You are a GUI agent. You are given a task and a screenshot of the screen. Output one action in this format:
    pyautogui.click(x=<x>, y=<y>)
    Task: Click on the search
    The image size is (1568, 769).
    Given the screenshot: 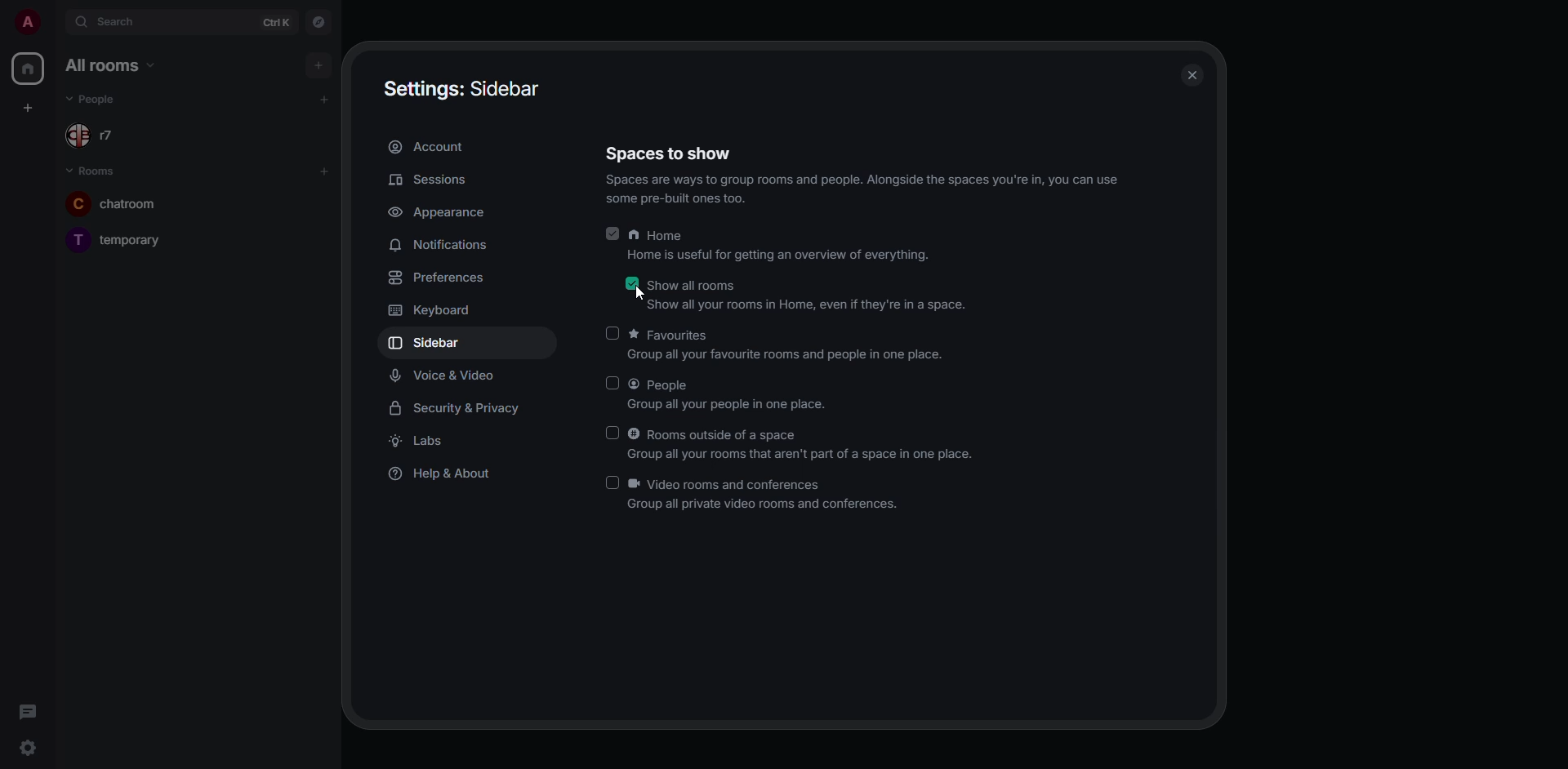 What is the action you would take?
    pyautogui.click(x=124, y=23)
    